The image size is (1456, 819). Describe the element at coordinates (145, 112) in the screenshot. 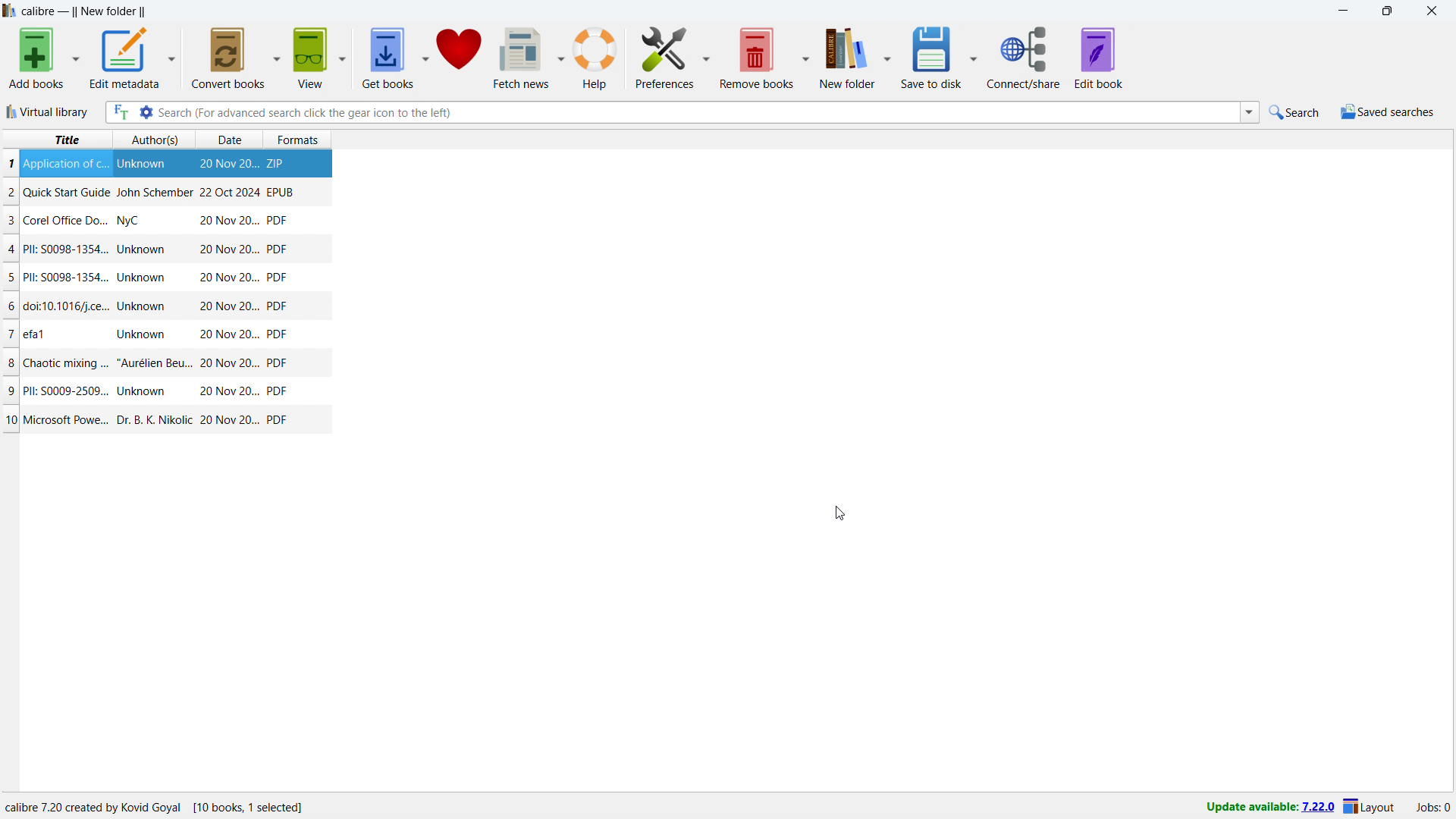

I see `advanced search` at that location.